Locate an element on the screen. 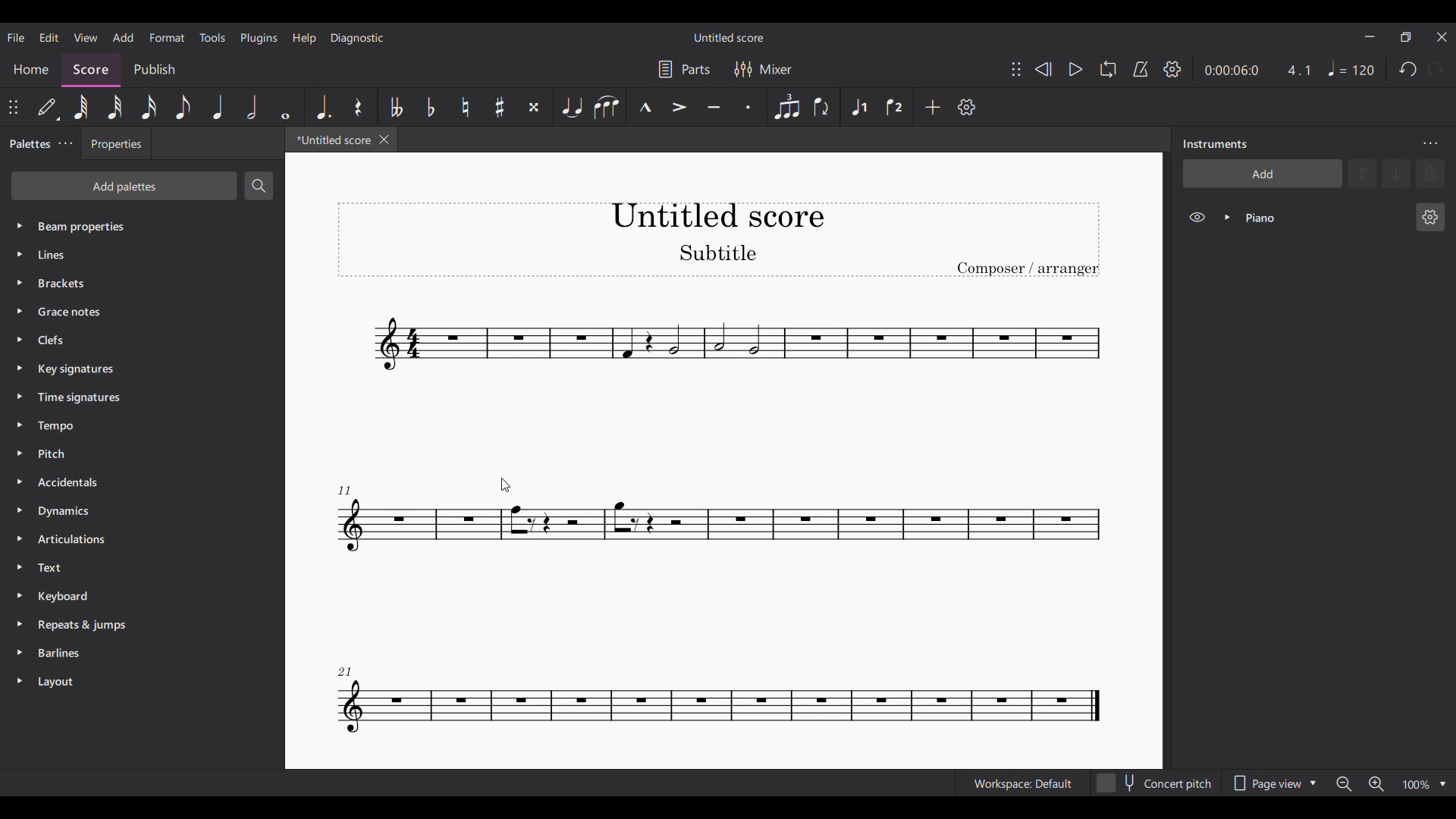  Change position of toolbar is located at coordinates (14, 107).